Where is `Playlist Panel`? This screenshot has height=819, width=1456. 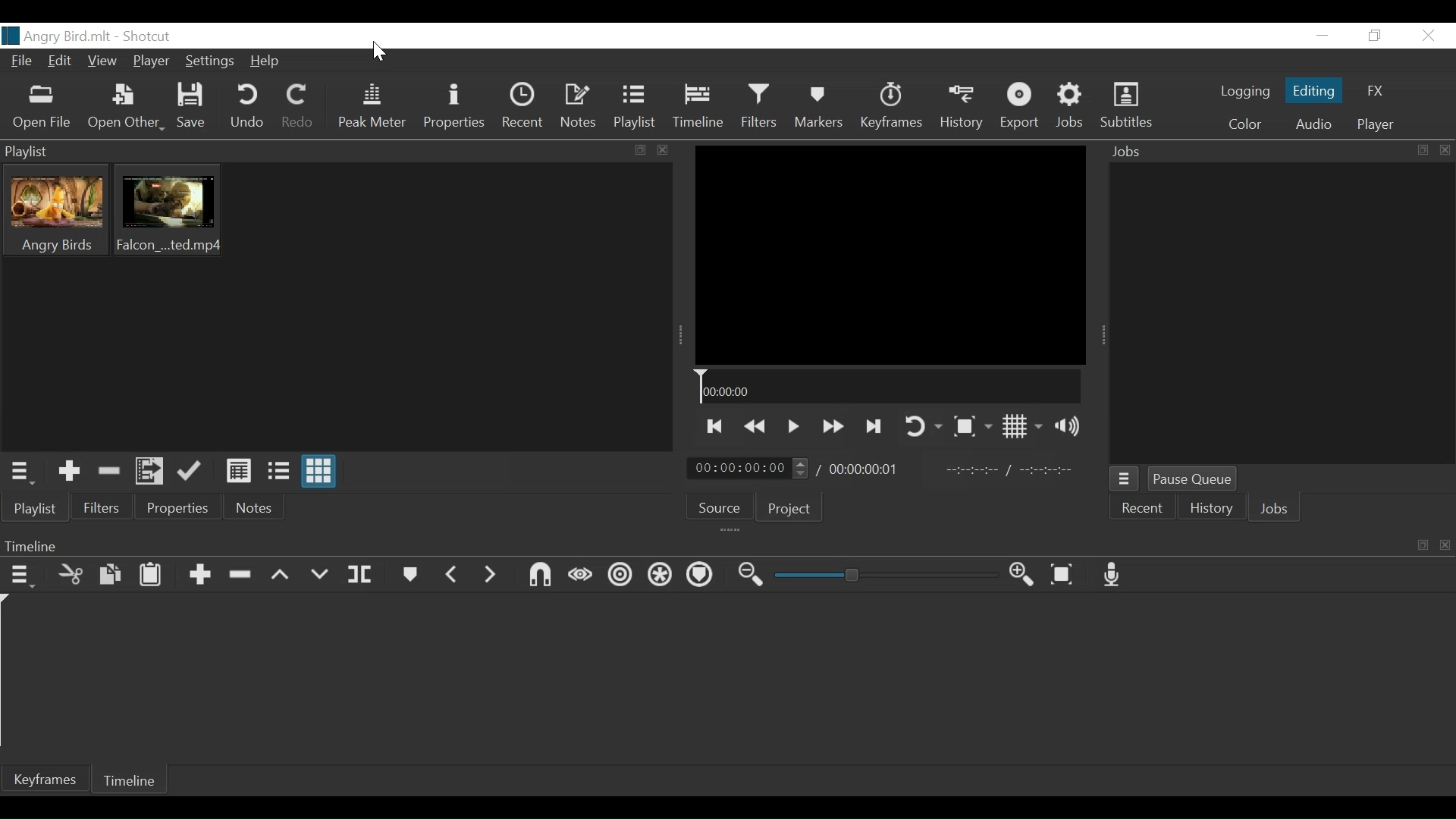
Playlist Panel is located at coordinates (335, 149).